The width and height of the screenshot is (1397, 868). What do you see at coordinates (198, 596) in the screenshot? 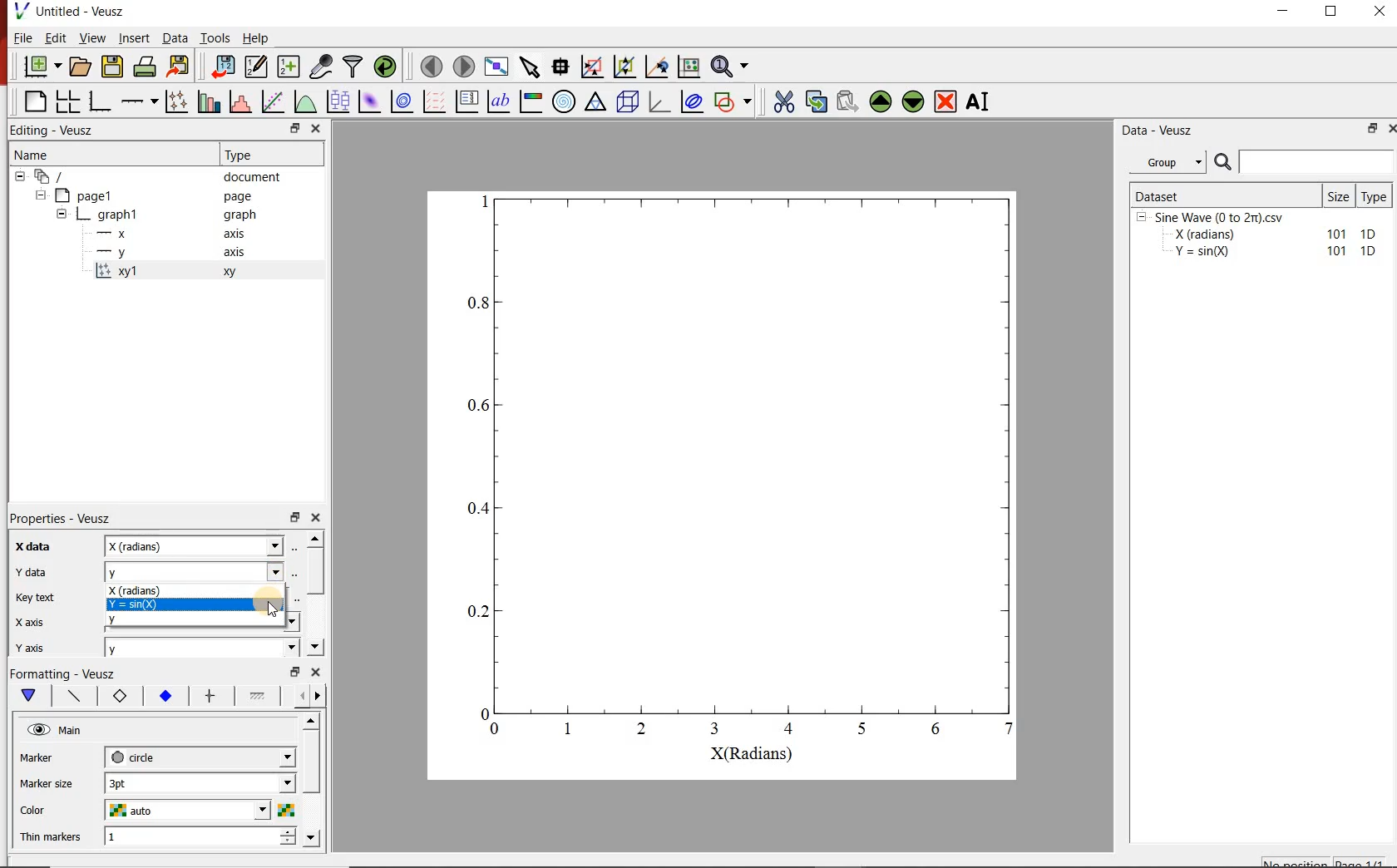
I see `x (radius) Y=sin(X)` at bounding box center [198, 596].